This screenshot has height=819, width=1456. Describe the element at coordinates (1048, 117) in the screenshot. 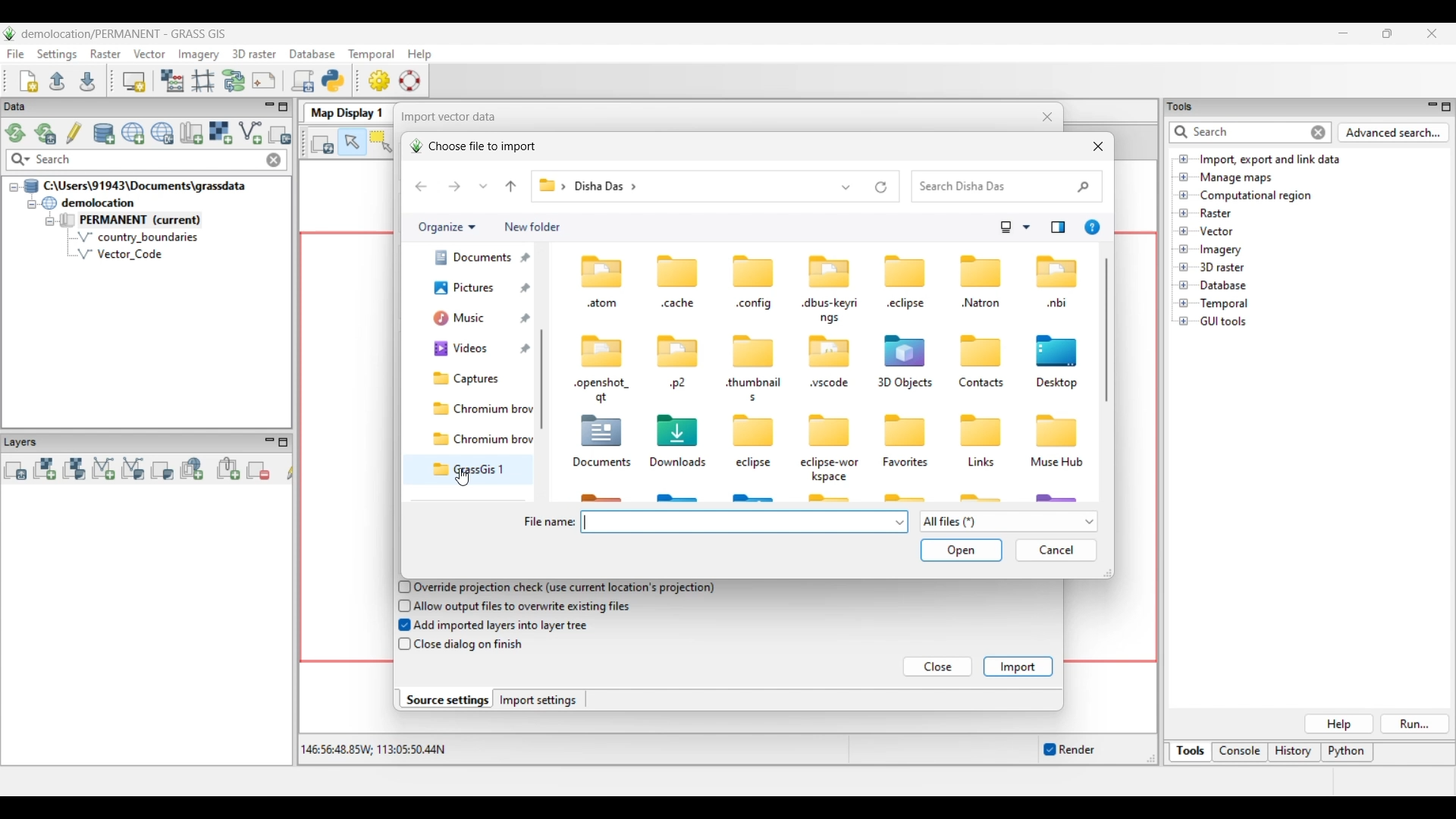

I see `Close window` at that location.